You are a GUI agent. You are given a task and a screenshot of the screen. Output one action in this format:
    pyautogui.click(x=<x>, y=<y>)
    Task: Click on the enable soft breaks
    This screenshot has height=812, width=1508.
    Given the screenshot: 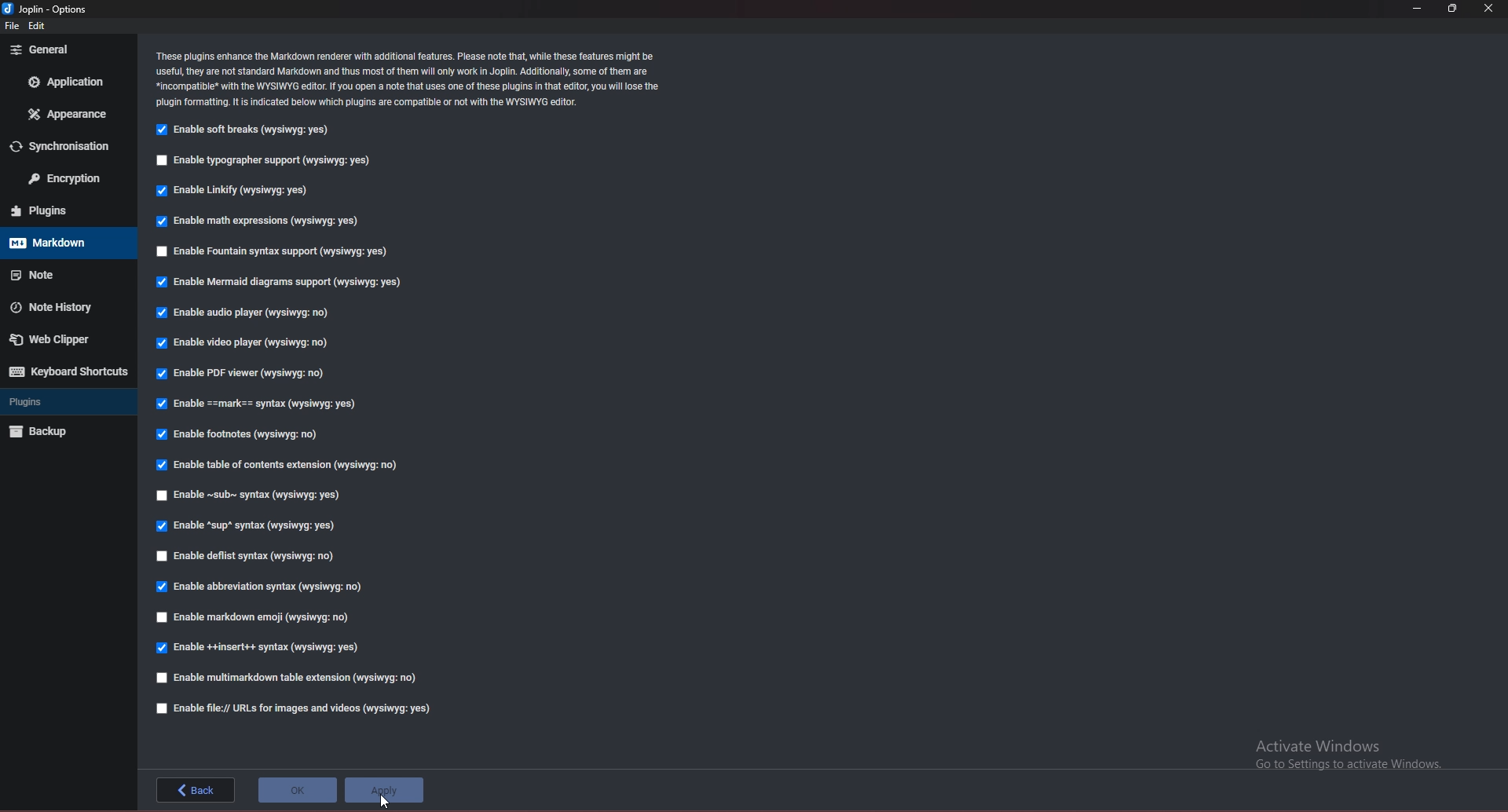 What is the action you would take?
    pyautogui.click(x=247, y=131)
    